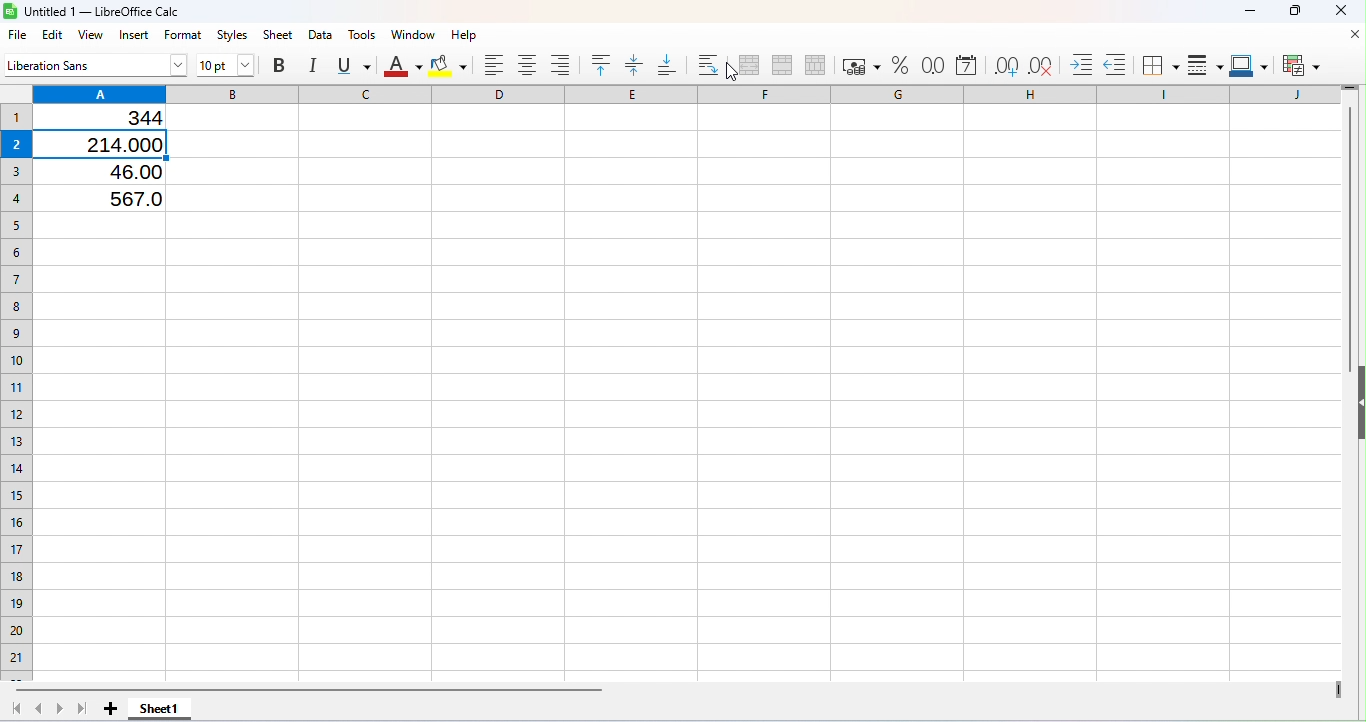 The image size is (1366, 722). Describe the element at coordinates (114, 196) in the screenshot. I see `567.0` at that location.